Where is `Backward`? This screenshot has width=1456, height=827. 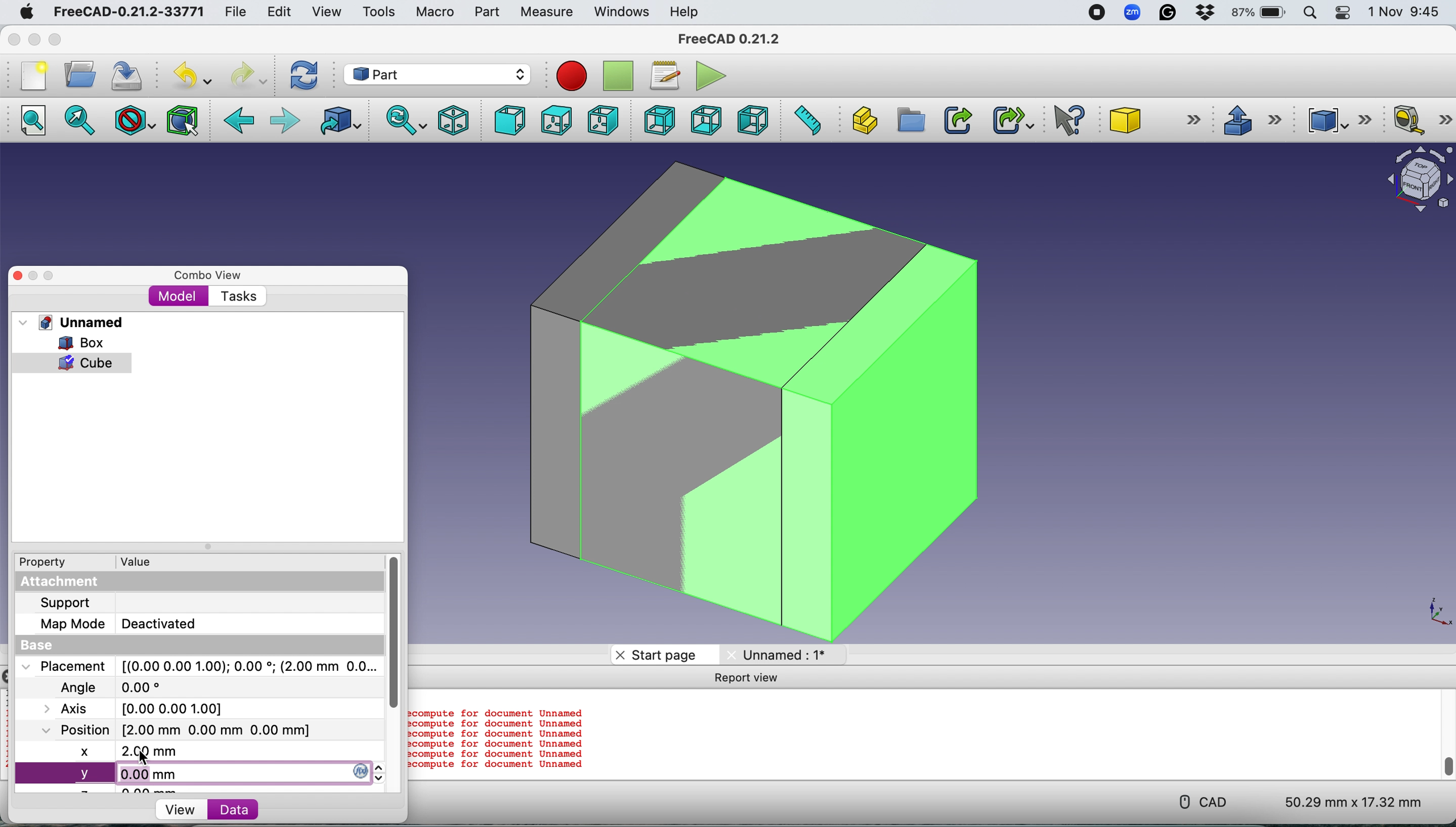
Backward is located at coordinates (240, 122).